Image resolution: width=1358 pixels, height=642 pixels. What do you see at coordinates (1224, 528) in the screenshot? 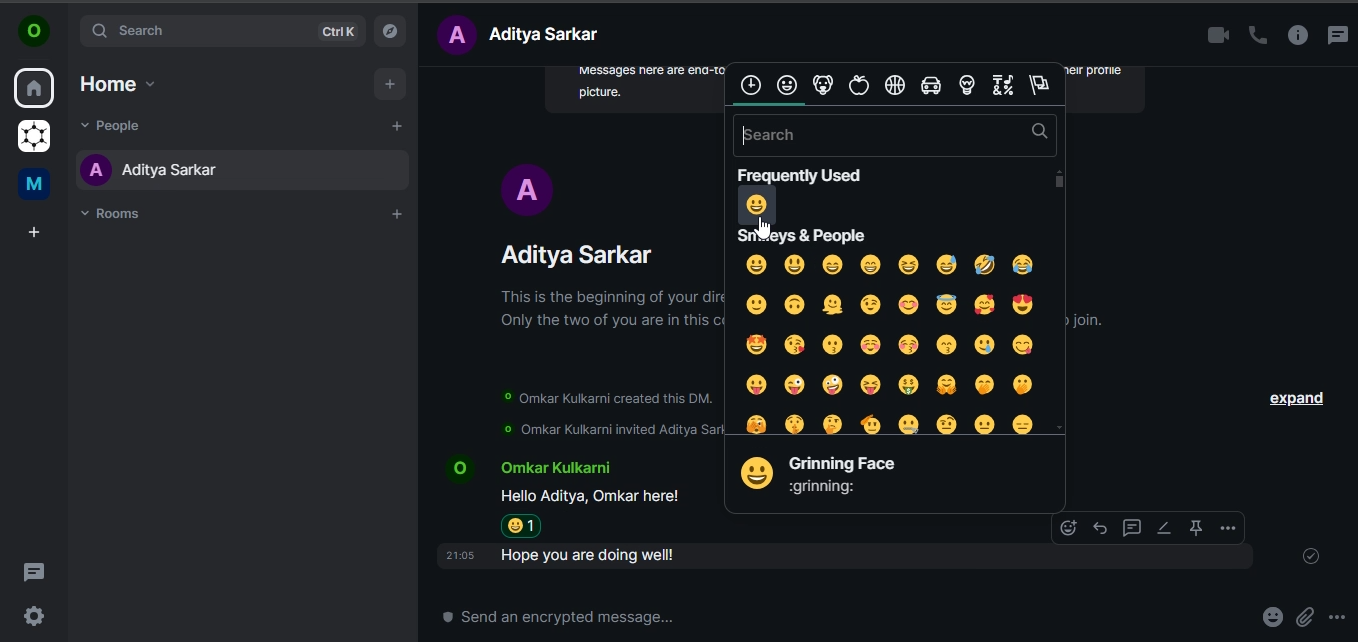
I see `options` at bounding box center [1224, 528].